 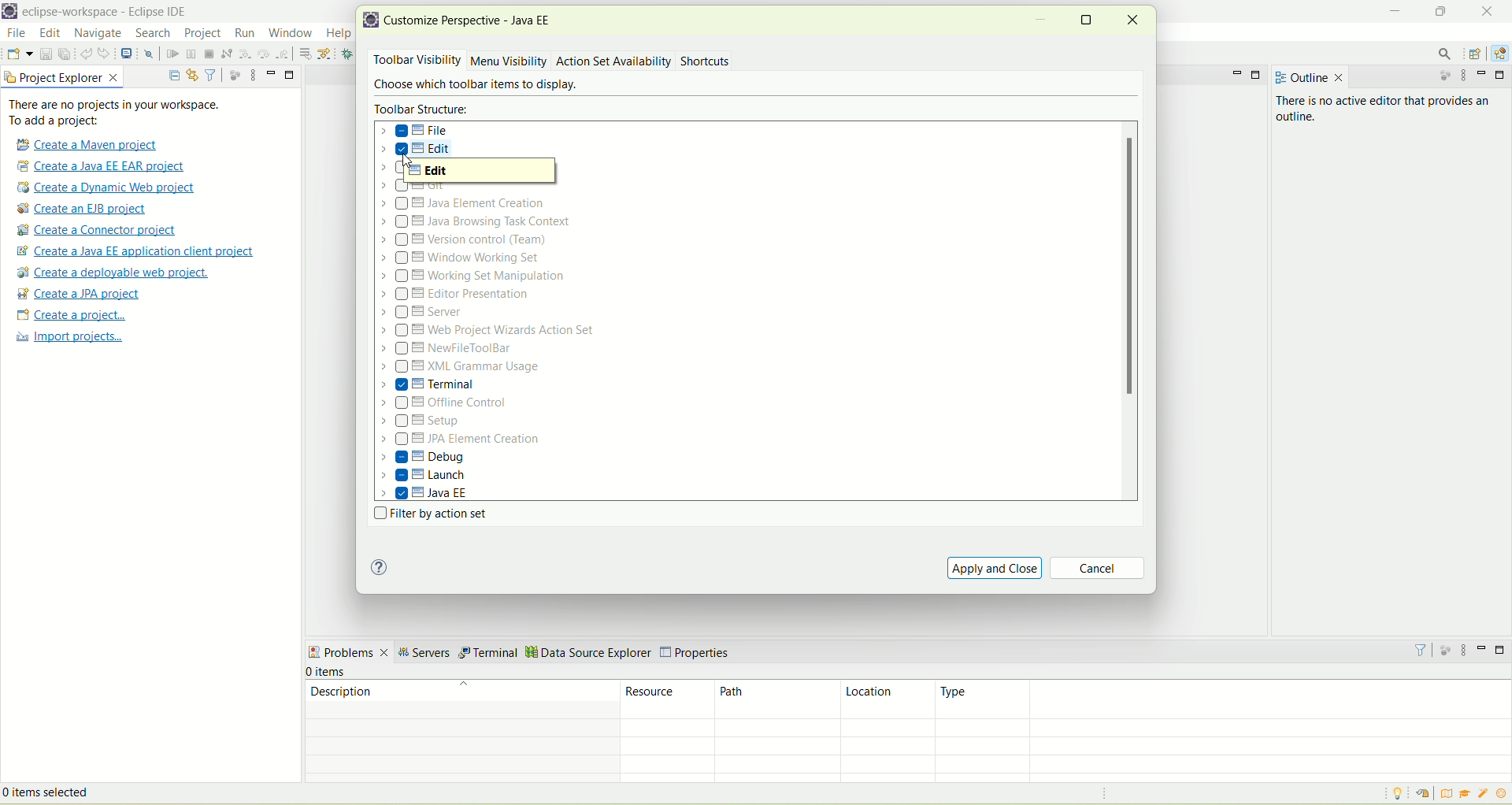 What do you see at coordinates (372, 22) in the screenshot?
I see `logo` at bounding box center [372, 22].